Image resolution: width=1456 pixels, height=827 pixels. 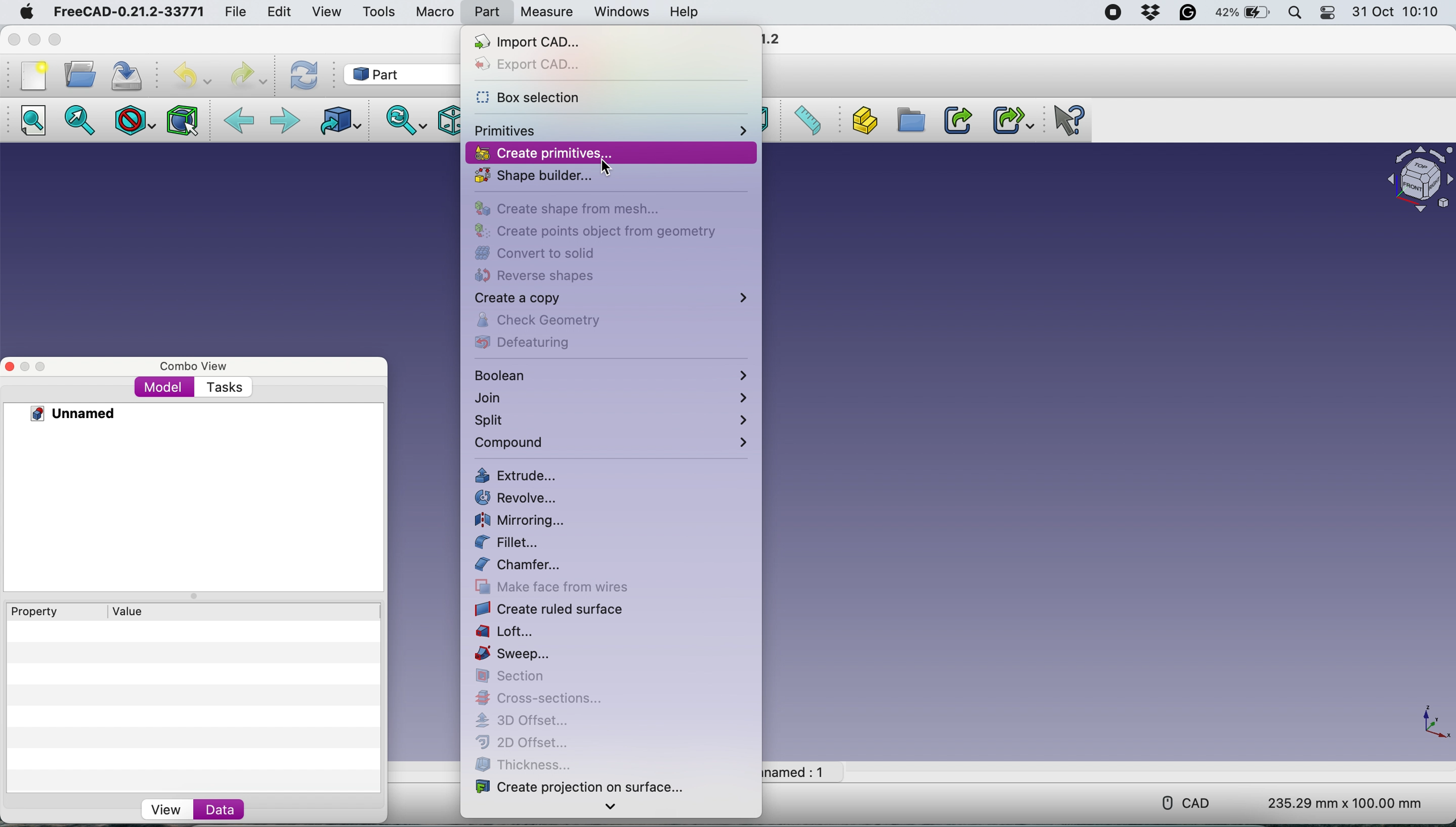 What do you see at coordinates (132, 120) in the screenshot?
I see `Draw style` at bounding box center [132, 120].